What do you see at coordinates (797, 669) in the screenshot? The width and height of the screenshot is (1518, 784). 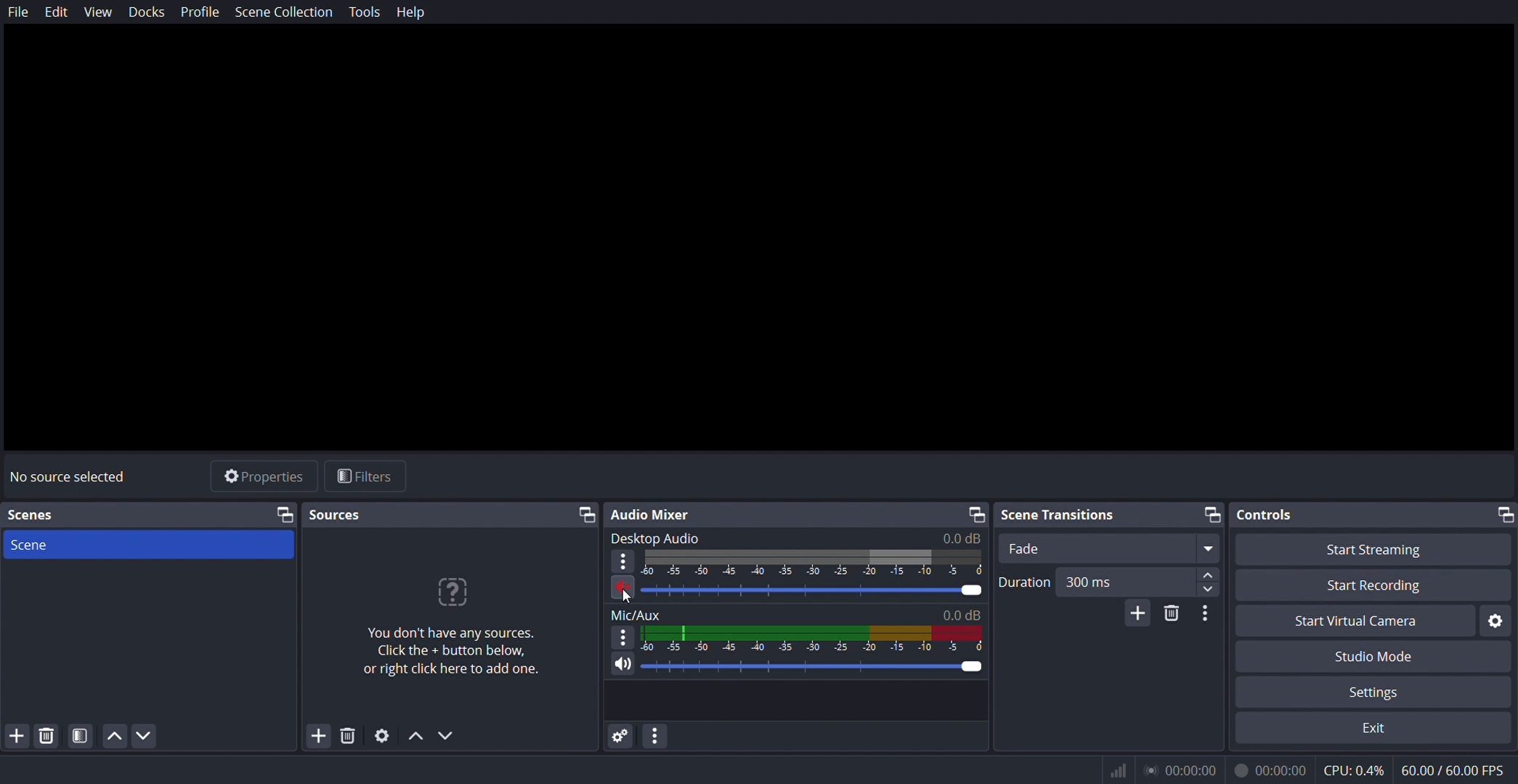 I see `volume slider` at bounding box center [797, 669].